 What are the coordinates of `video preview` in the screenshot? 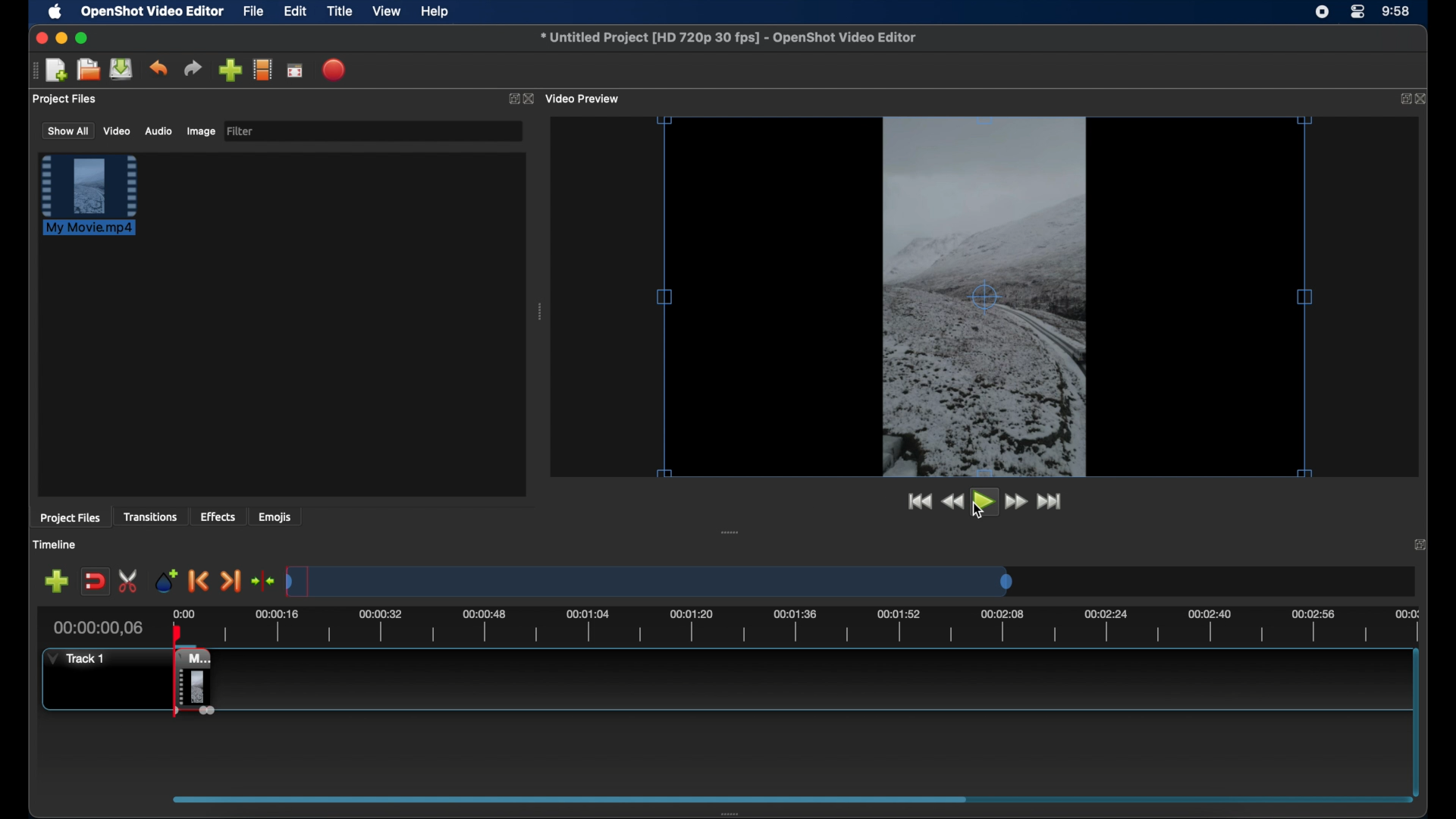 It's located at (584, 99).